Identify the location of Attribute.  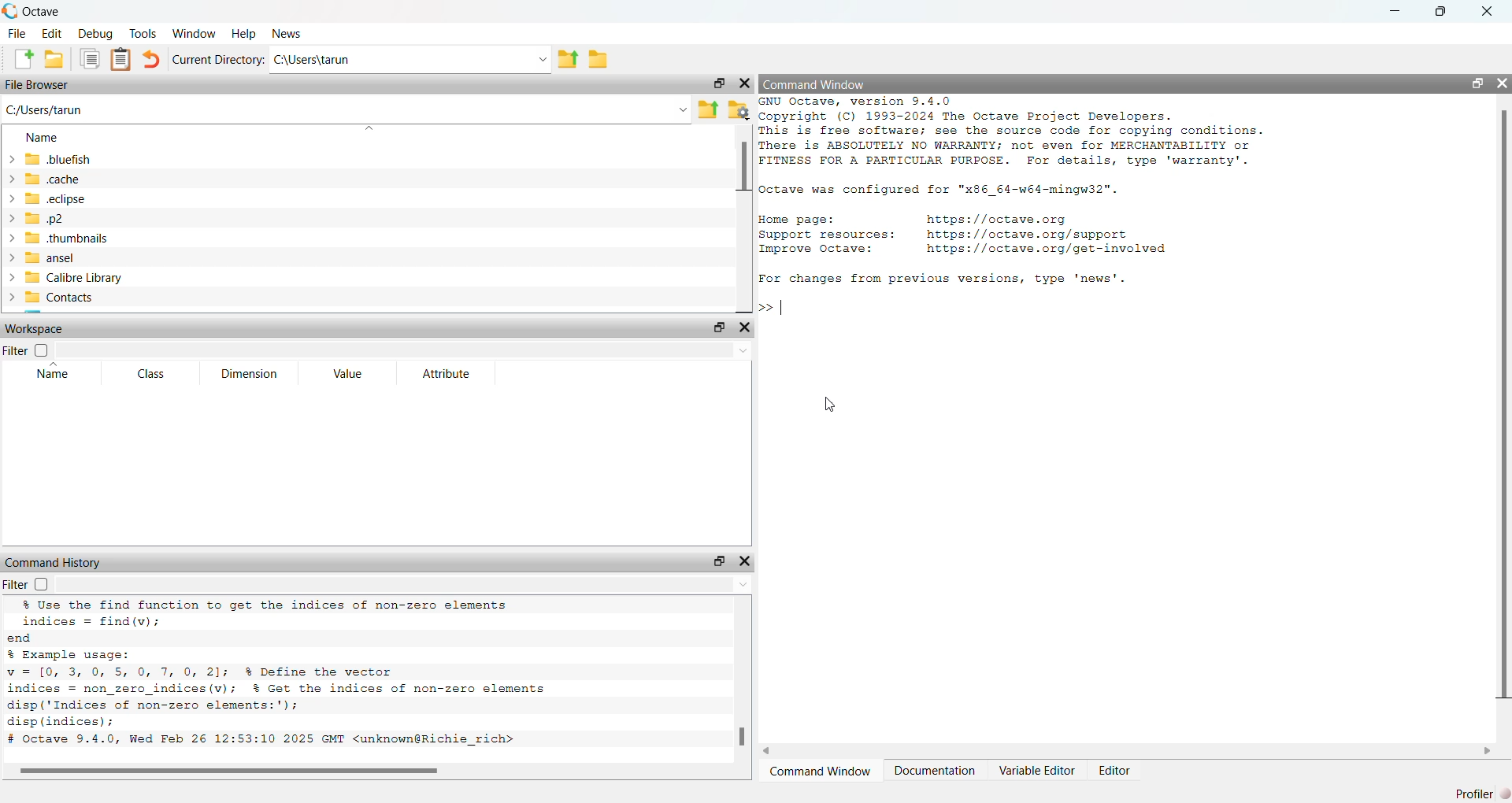
(450, 376).